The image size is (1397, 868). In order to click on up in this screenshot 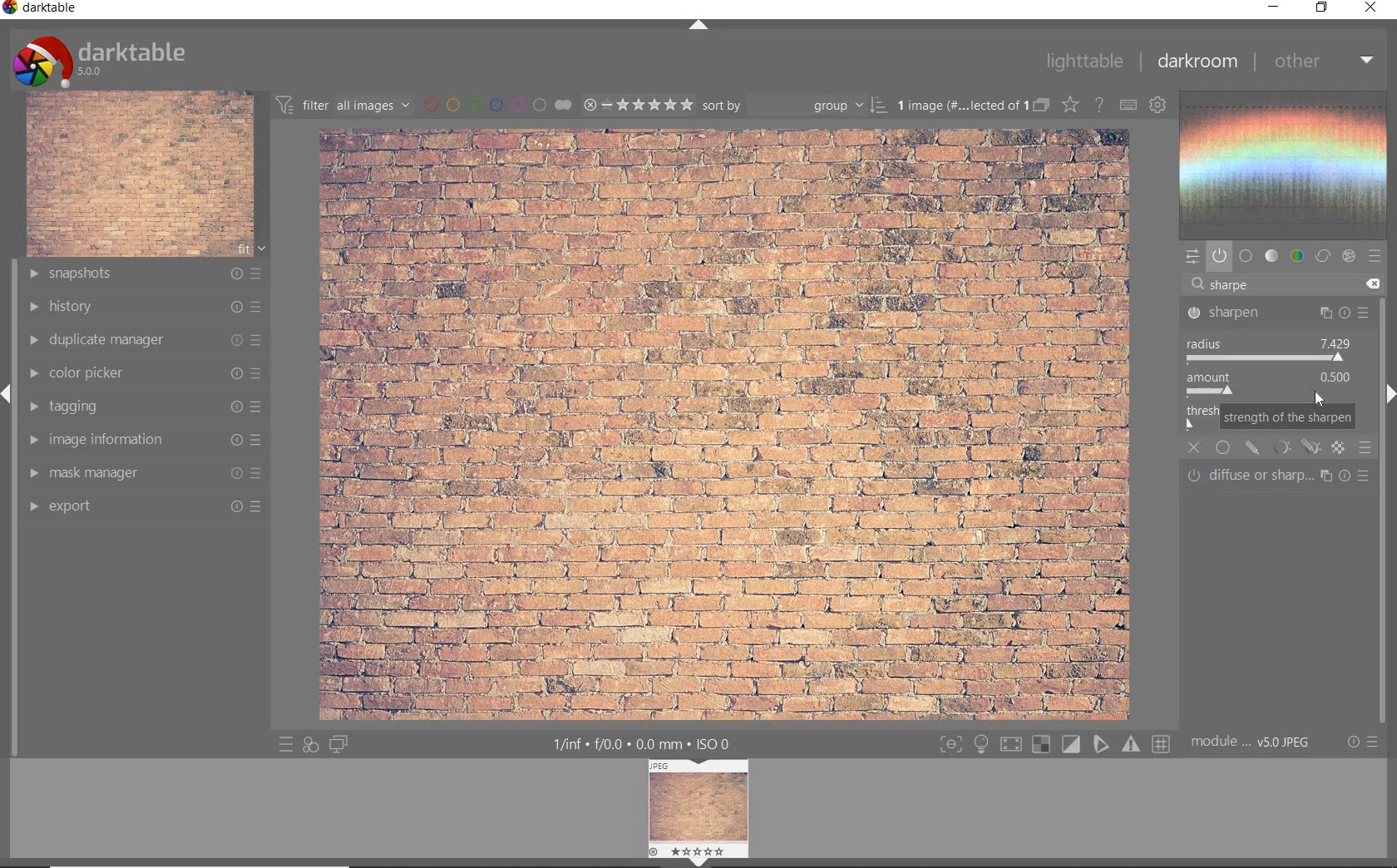, I will do `click(700, 26)`.